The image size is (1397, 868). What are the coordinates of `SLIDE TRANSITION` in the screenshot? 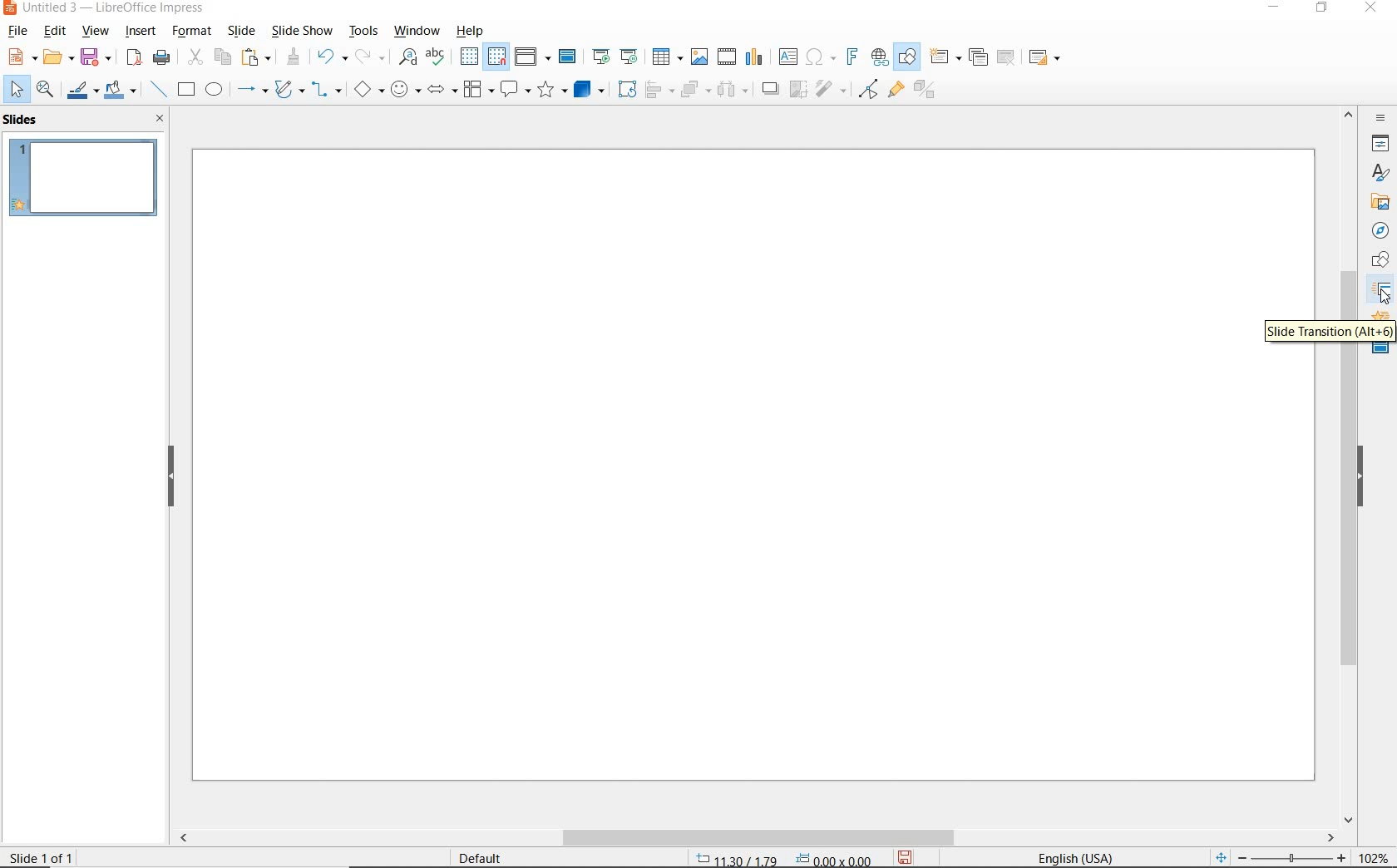 It's located at (1381, 292).